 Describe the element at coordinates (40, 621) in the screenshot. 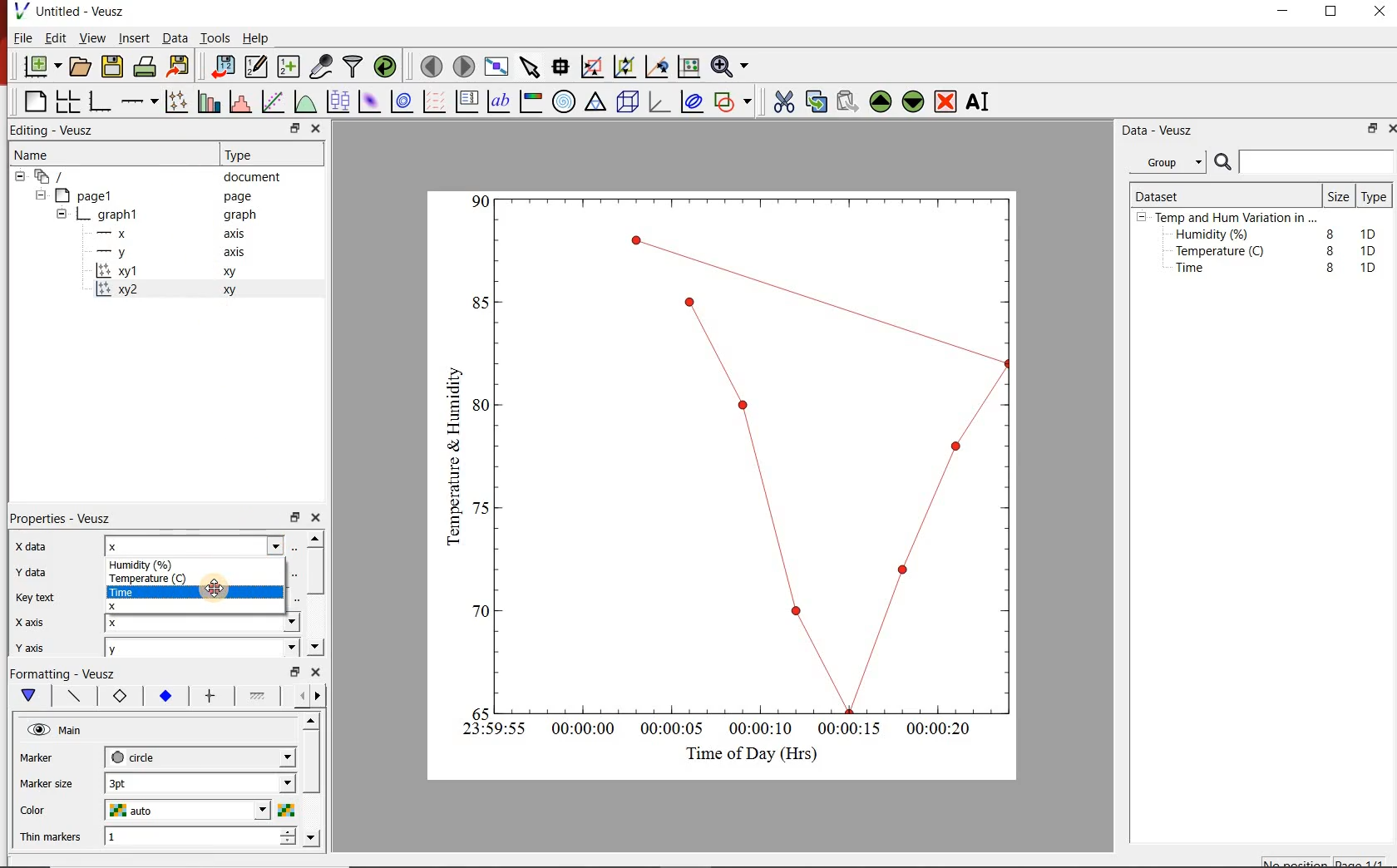

I see `x axis` at that location.